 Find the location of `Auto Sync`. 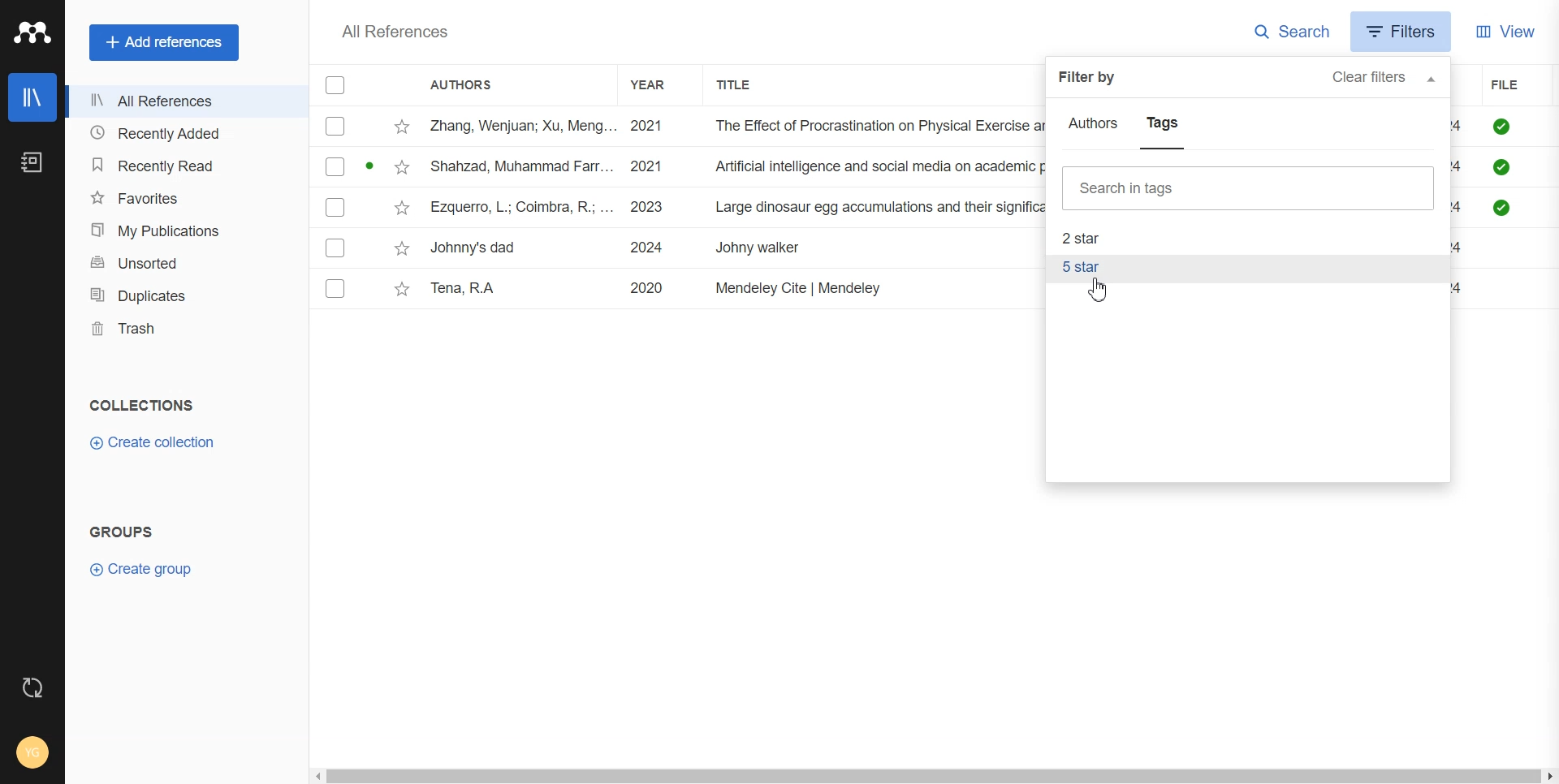

Auto Sync is located at coordinates (33, 688).